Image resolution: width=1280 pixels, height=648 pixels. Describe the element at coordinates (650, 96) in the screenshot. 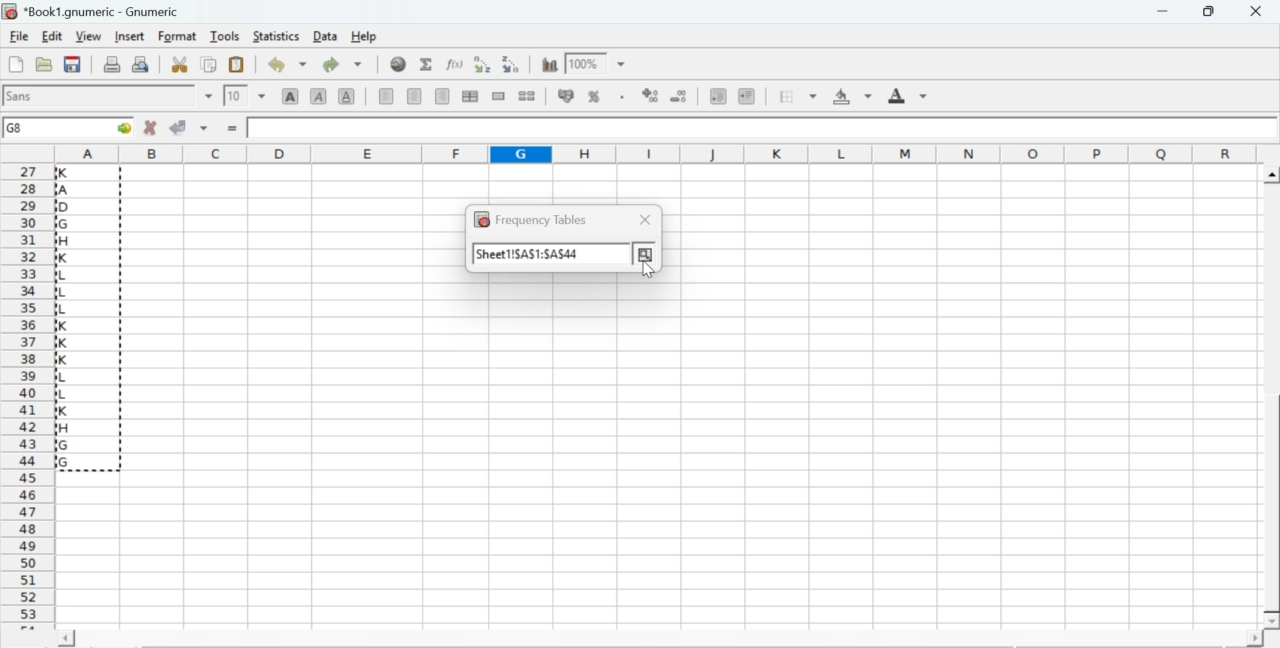

I see `decrease number of decimals displayed` at that location.